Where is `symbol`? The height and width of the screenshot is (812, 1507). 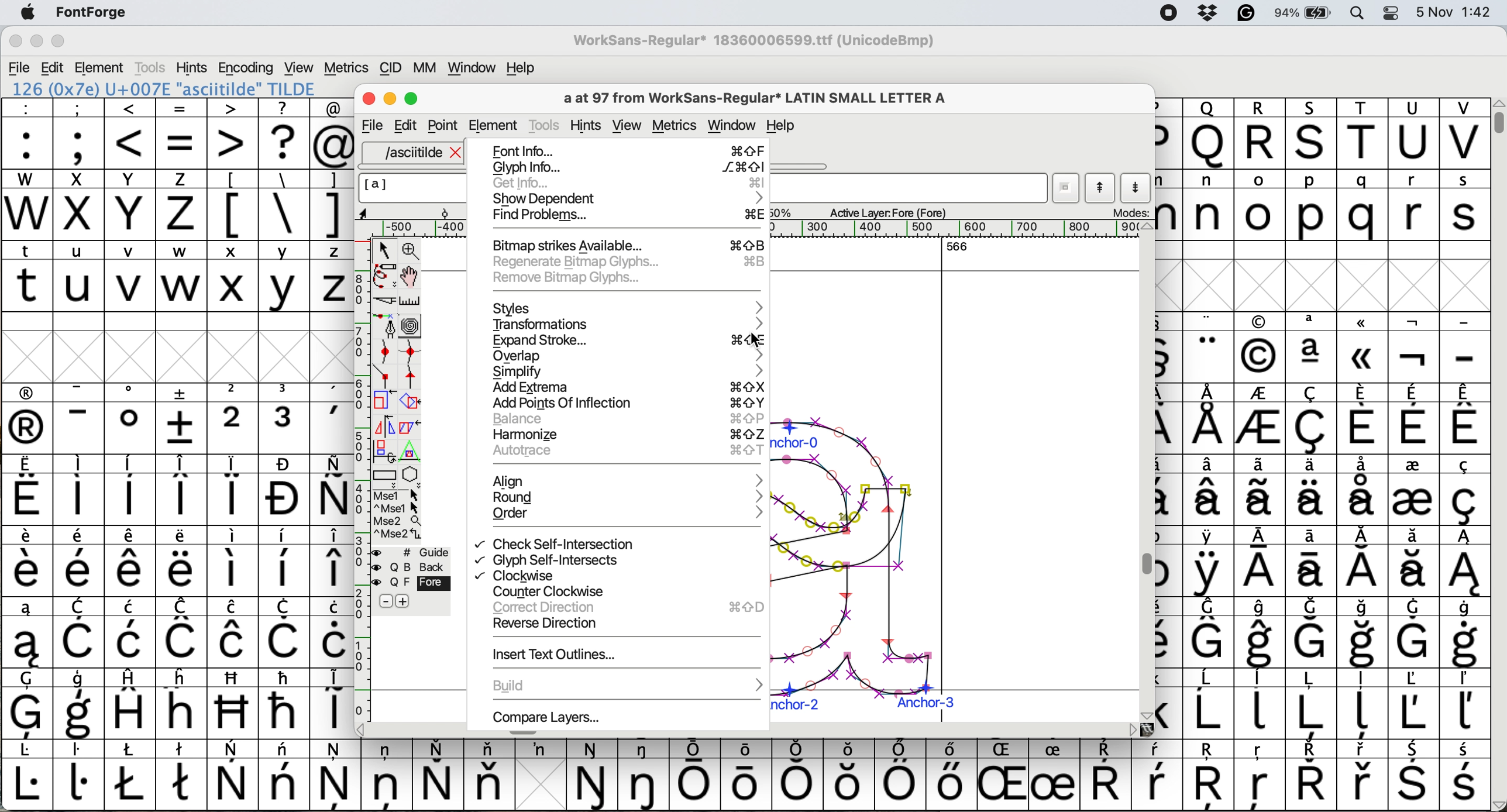
symbol is located at coordinates (232, 632).